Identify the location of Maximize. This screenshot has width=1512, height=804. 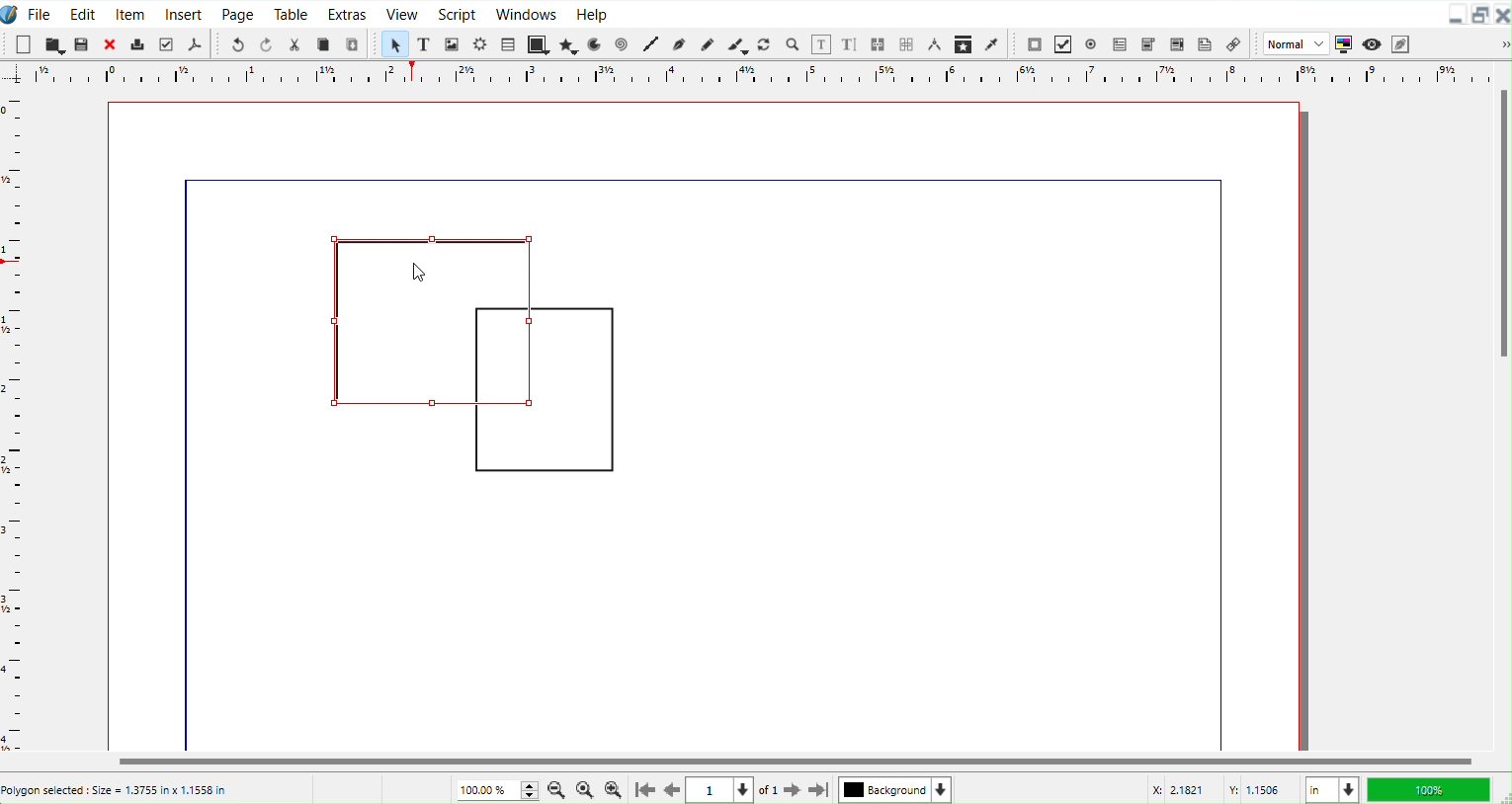
(1481, 15).